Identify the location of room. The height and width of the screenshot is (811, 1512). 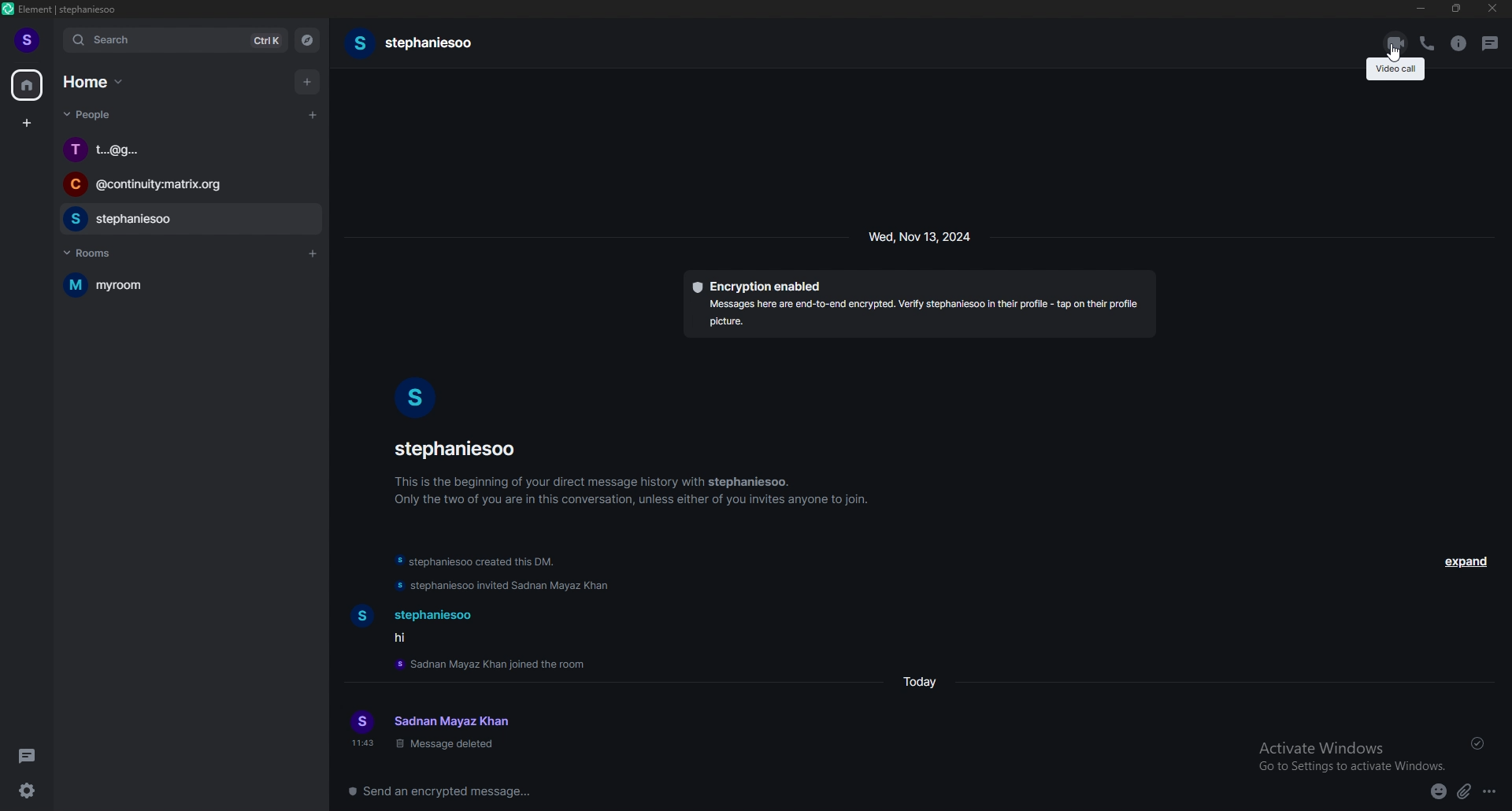
(184, 284).